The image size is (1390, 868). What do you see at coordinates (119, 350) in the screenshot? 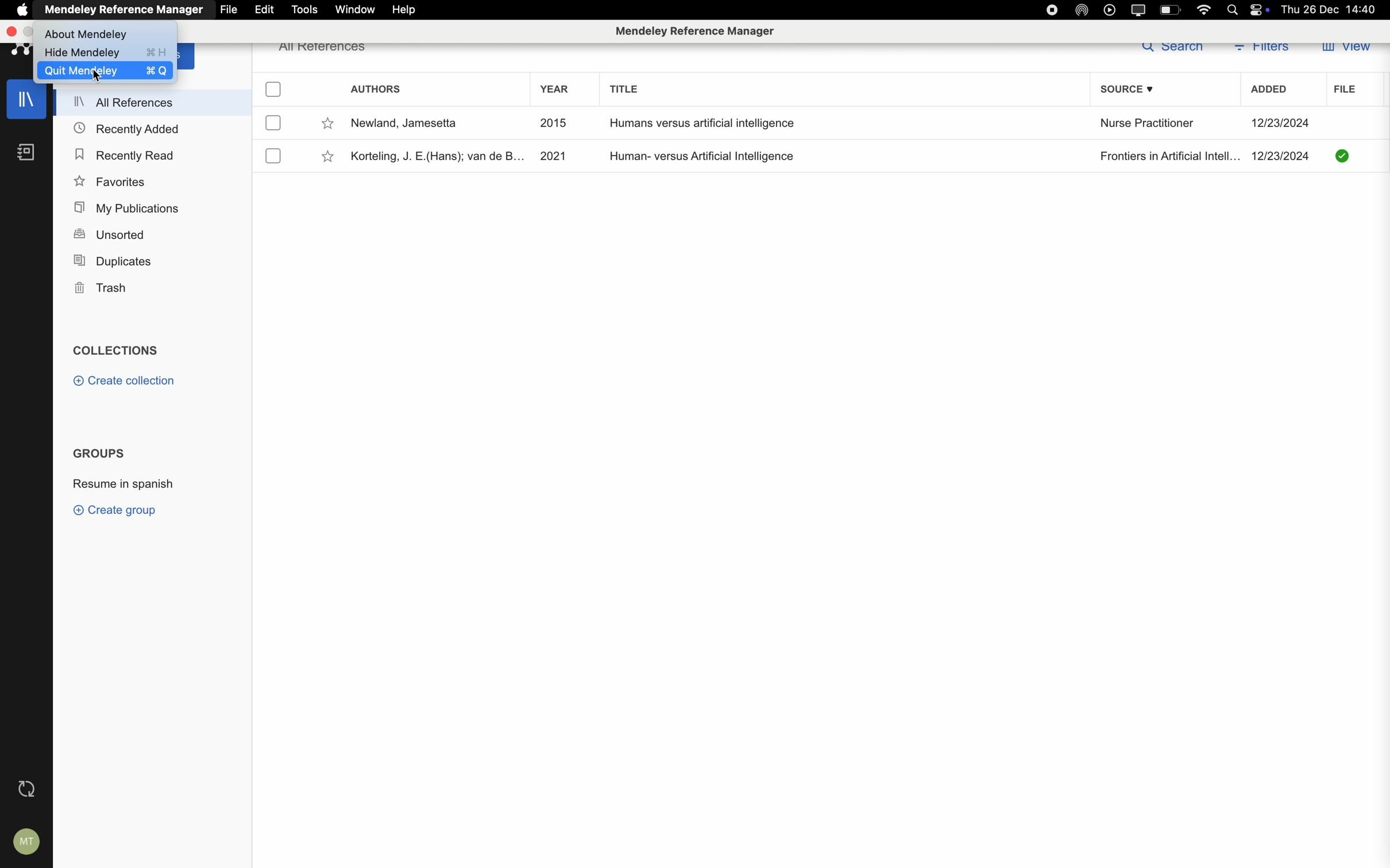
I see `collections` at bounding box center [119, 350].